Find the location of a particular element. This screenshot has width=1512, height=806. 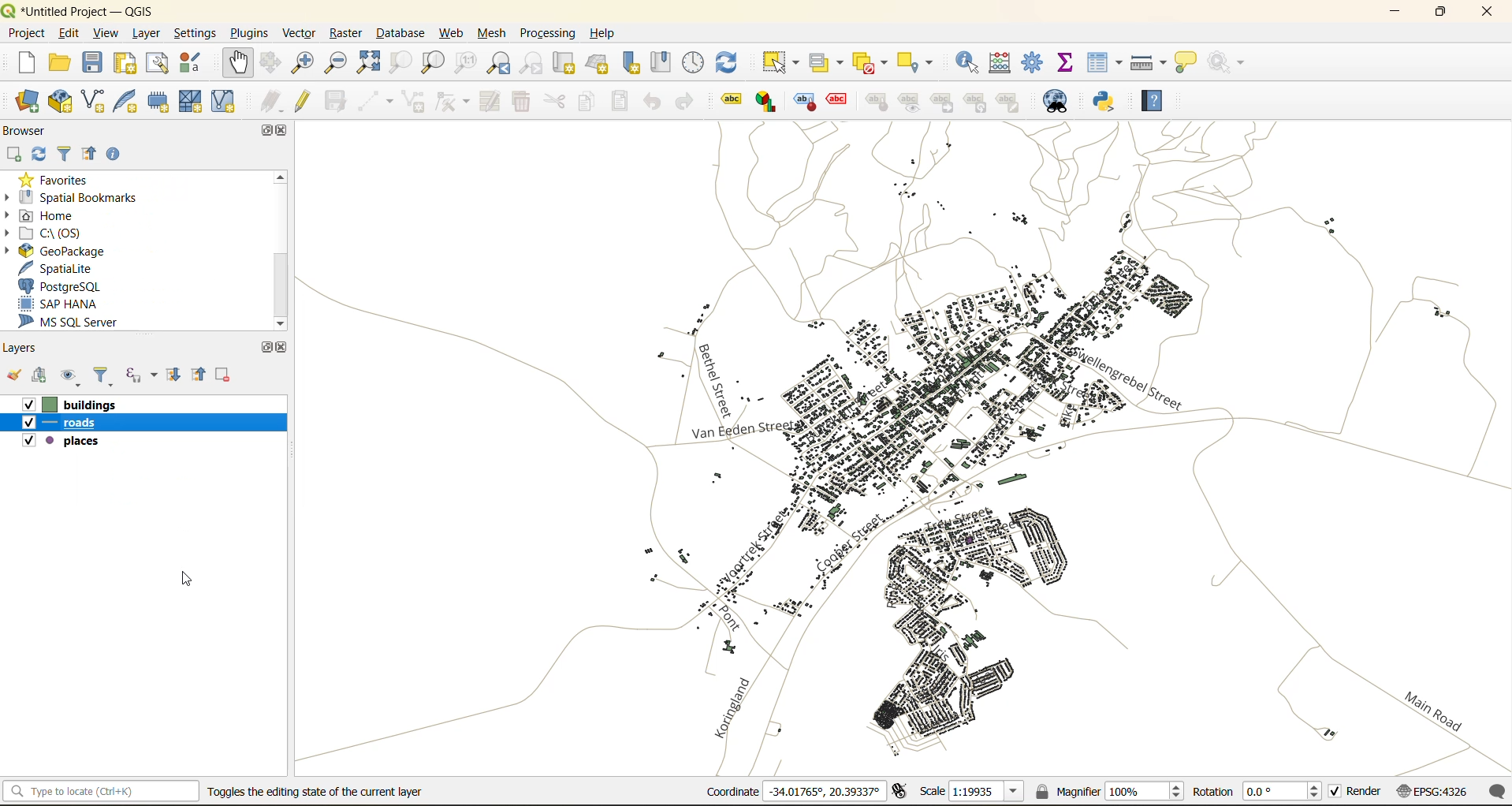

zoom last is located at coordinates (498, 63).